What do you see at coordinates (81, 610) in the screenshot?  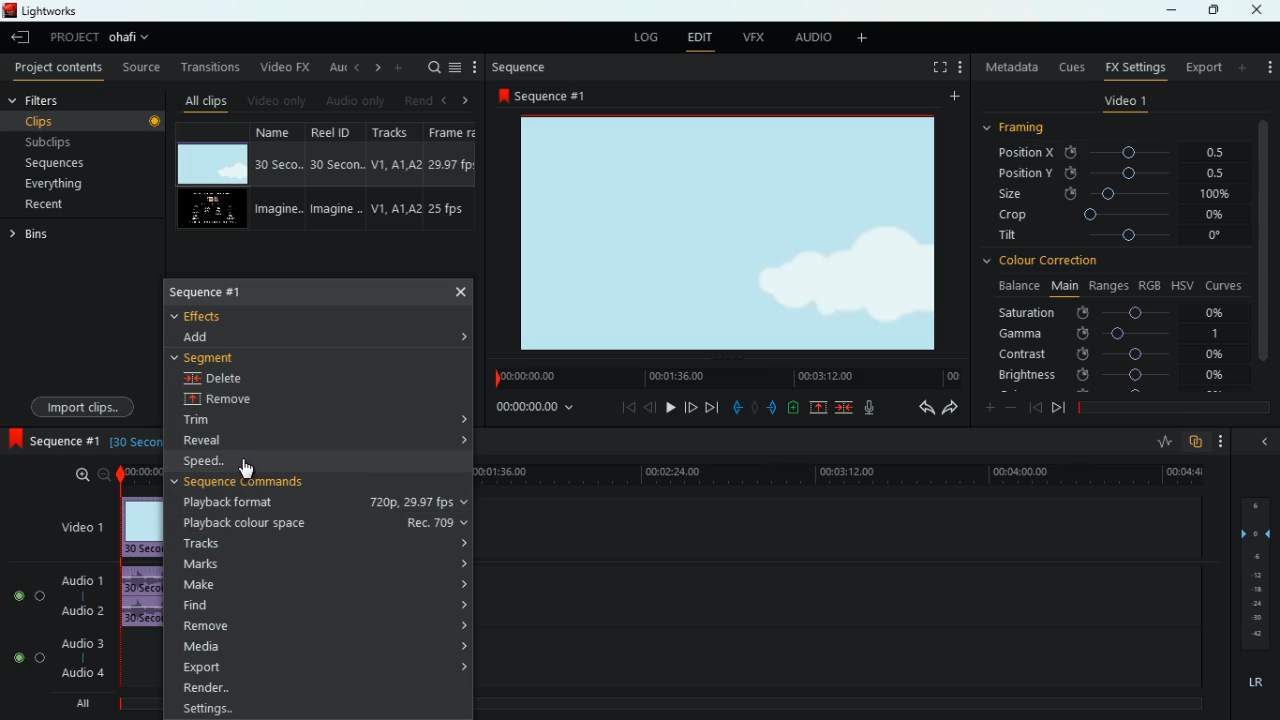 I see `audio 2` at bounding box center [81, 610].